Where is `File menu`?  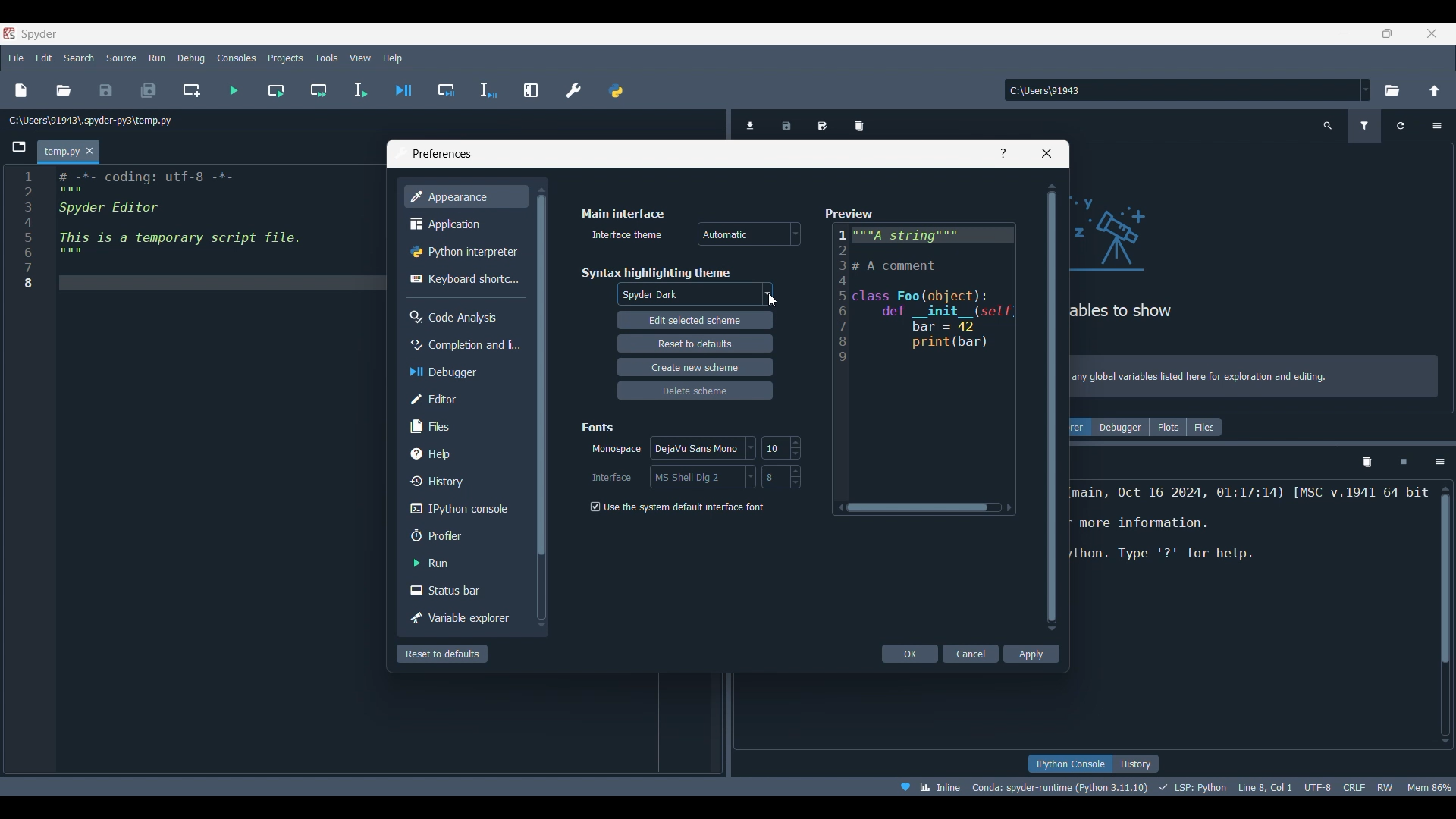 File menu is located at coordinates (16, 55).